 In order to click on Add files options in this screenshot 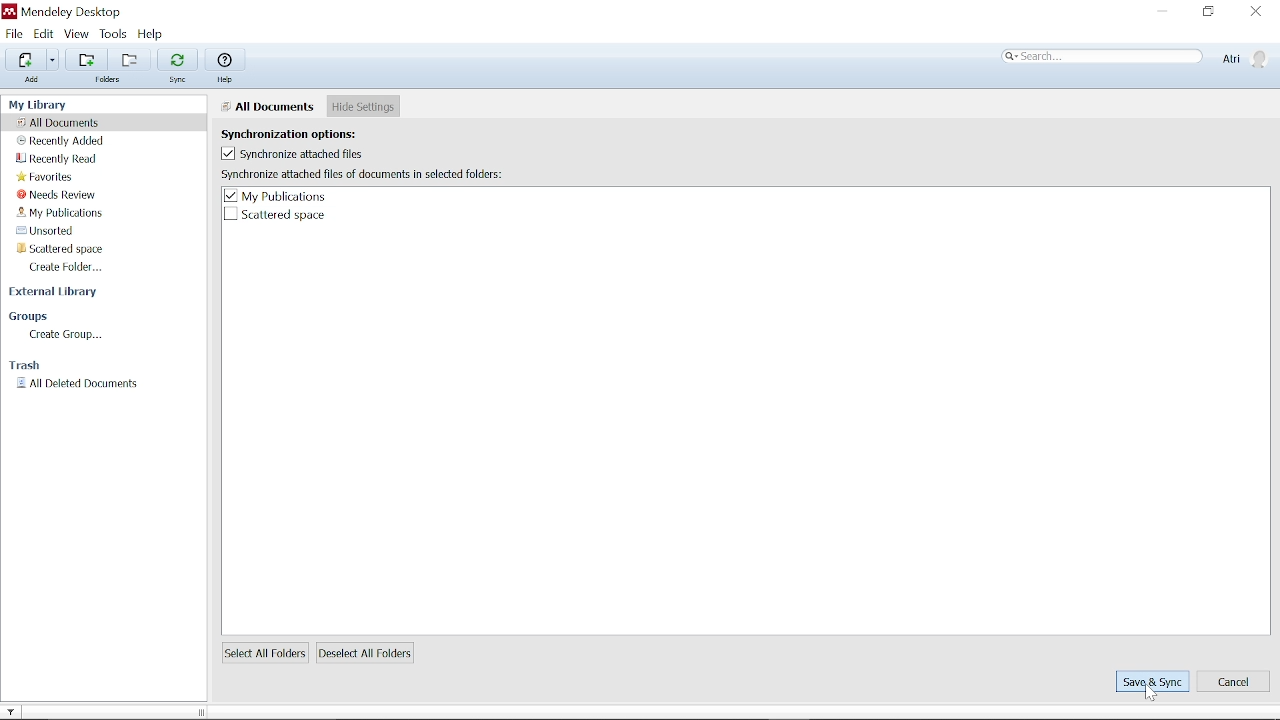, I will do `click(53, 62)`.